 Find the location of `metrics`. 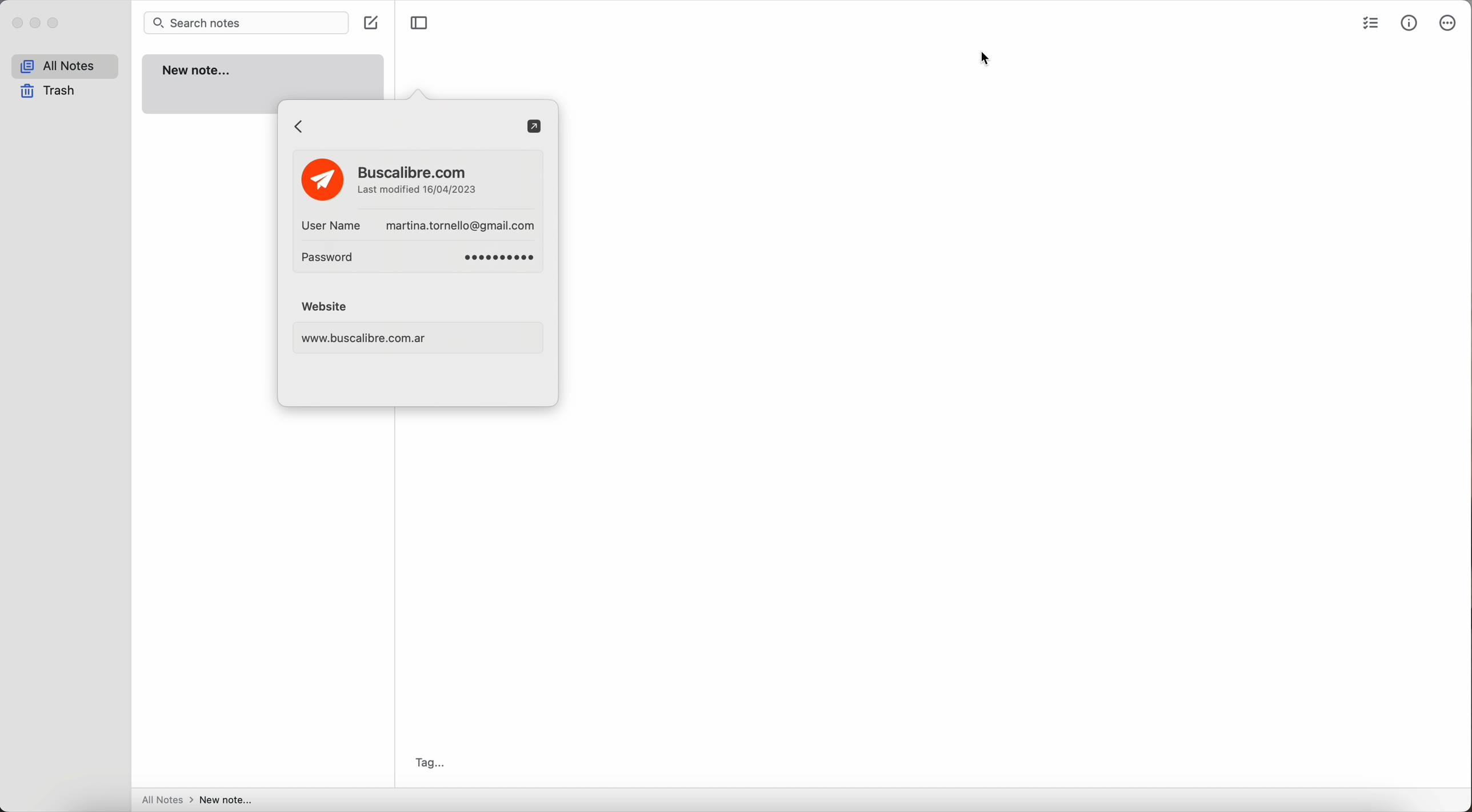

metrics is located at coordinates (1410, 23).